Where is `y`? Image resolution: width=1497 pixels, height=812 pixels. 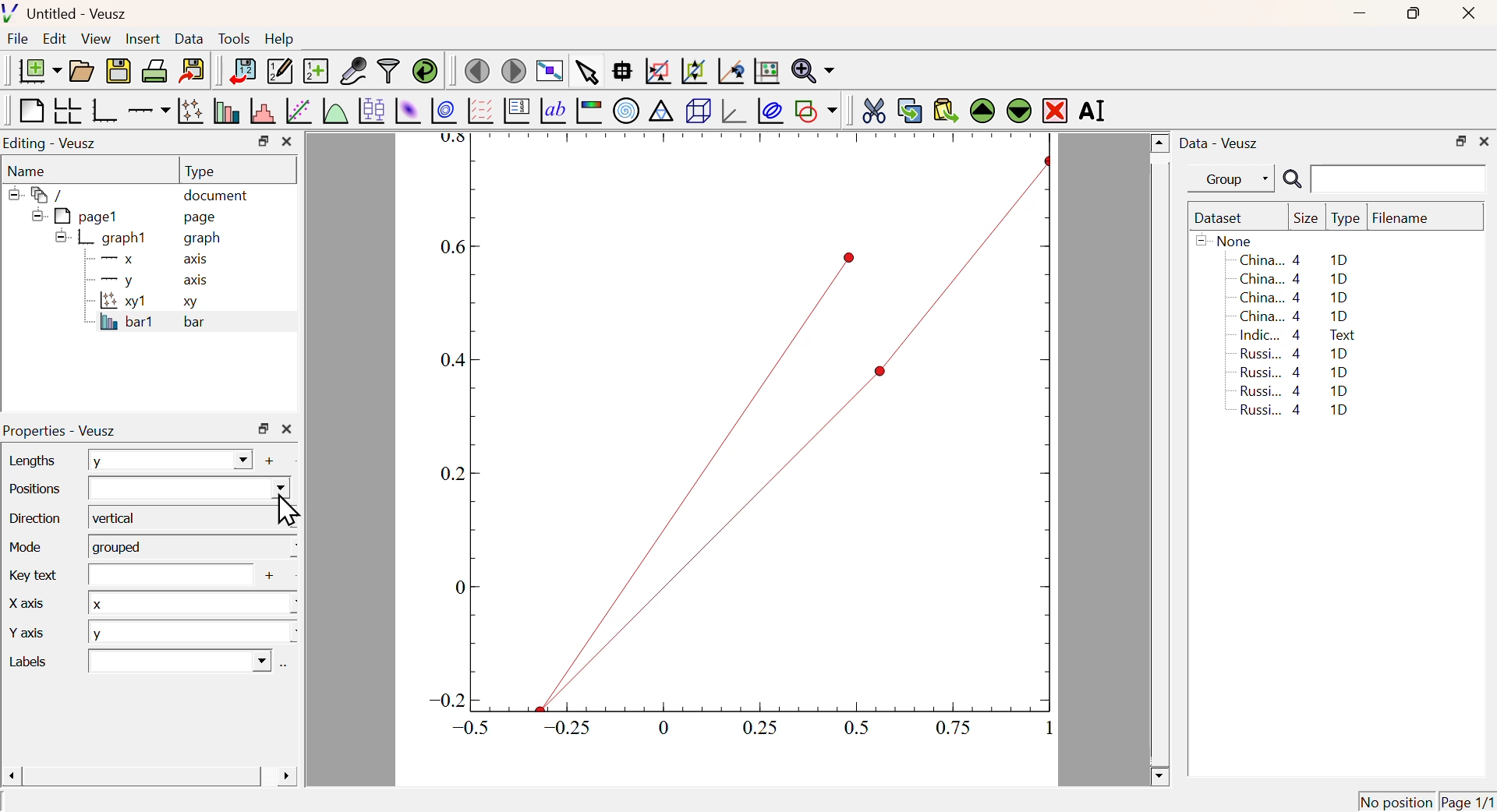
y is located at coordinates (193, 633).